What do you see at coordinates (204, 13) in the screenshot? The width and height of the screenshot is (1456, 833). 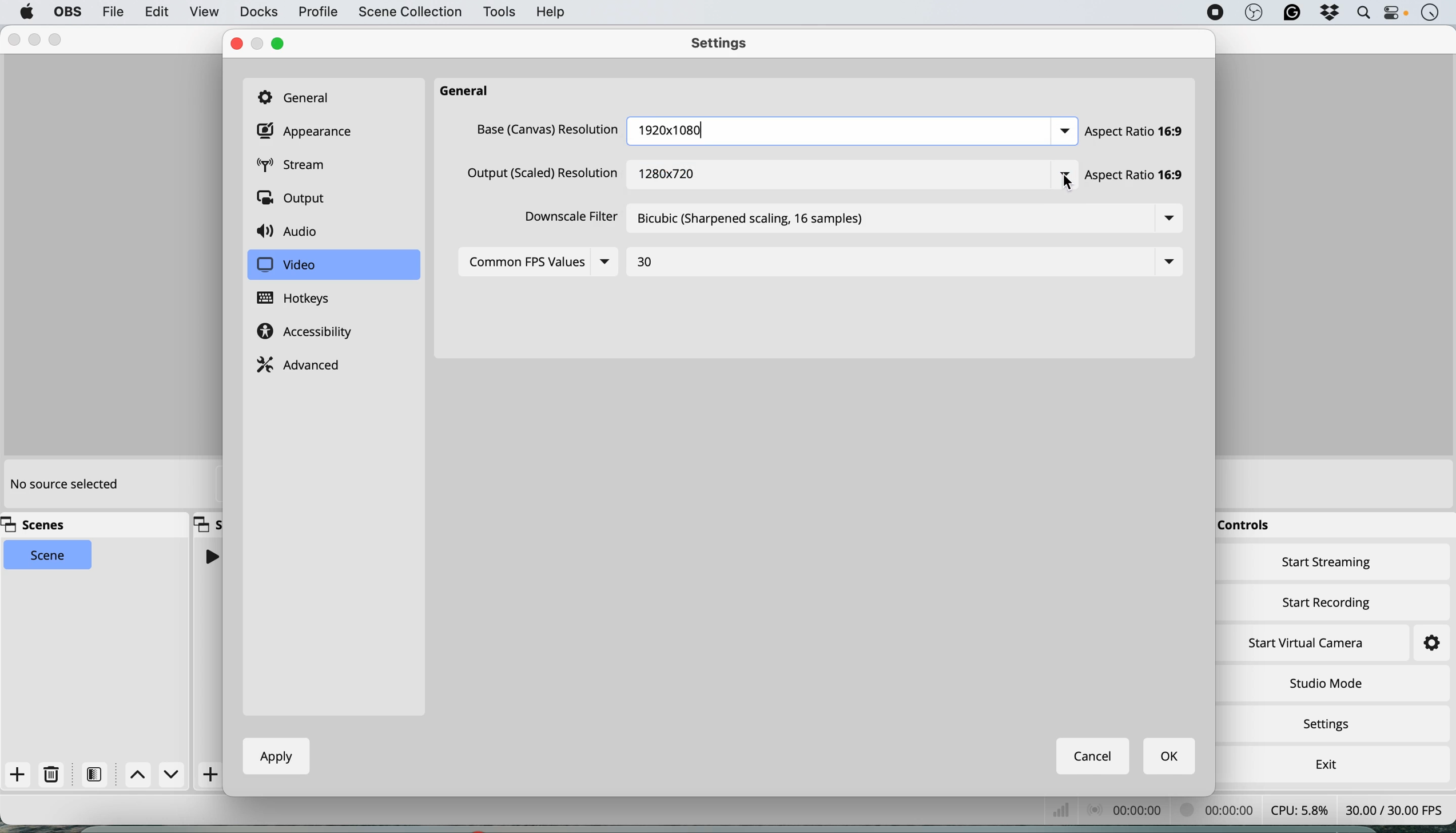 I see `view` at bounding box center [204, 13].